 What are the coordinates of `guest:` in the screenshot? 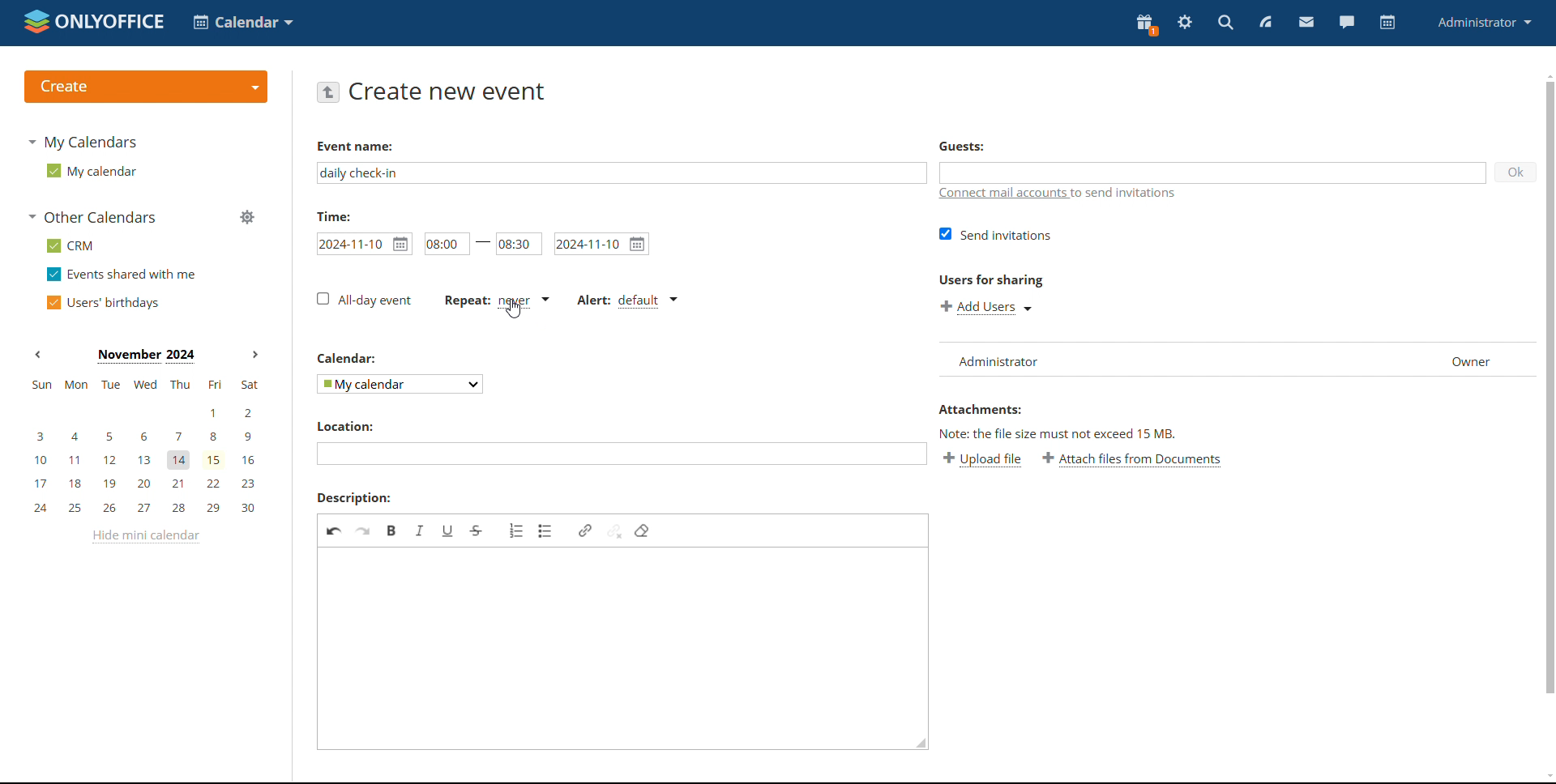 It's located at (977, 144).